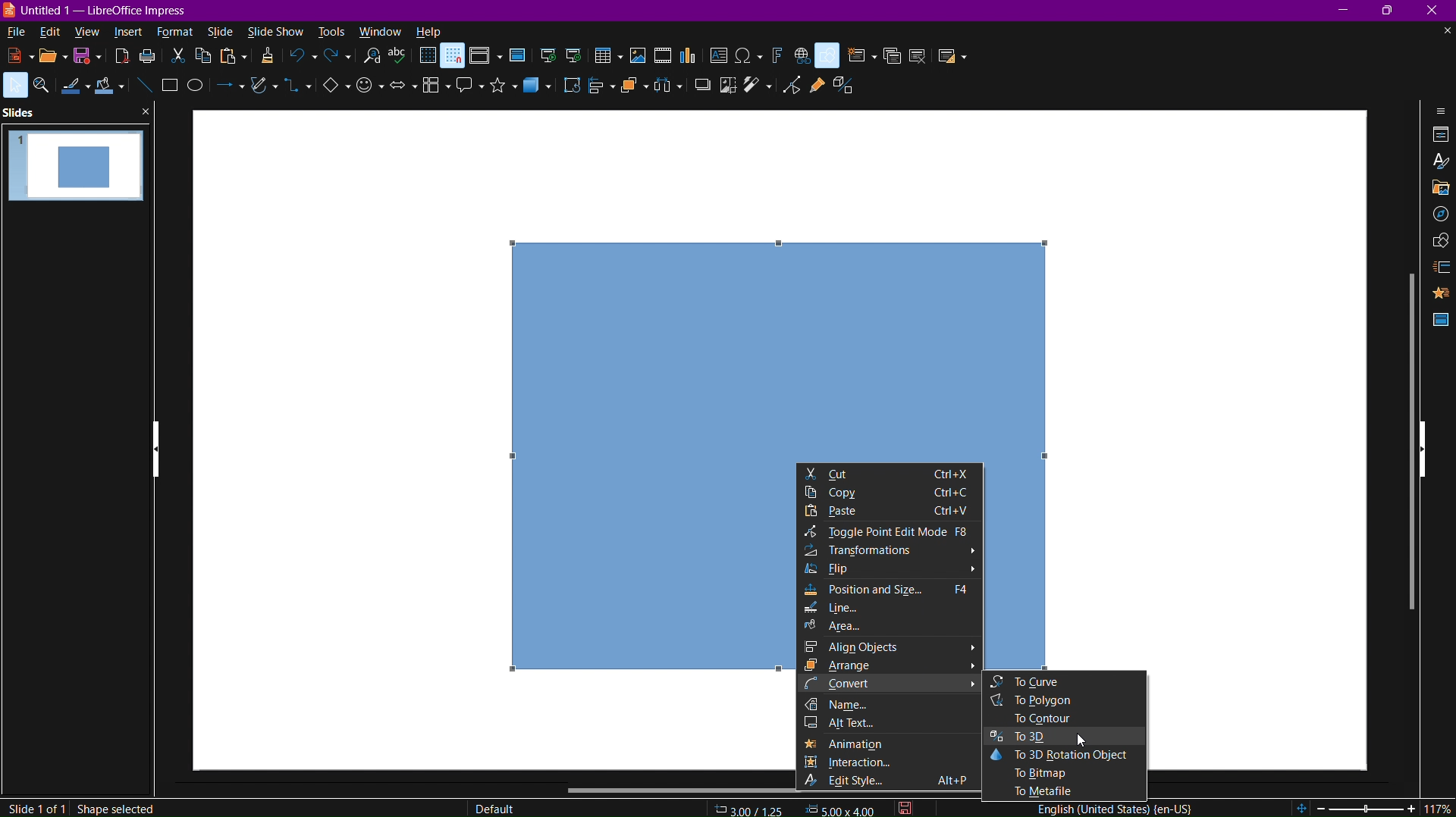 The height and width of the screenshot is (817, 1456). I want to click on hide, so click(1423, 450).